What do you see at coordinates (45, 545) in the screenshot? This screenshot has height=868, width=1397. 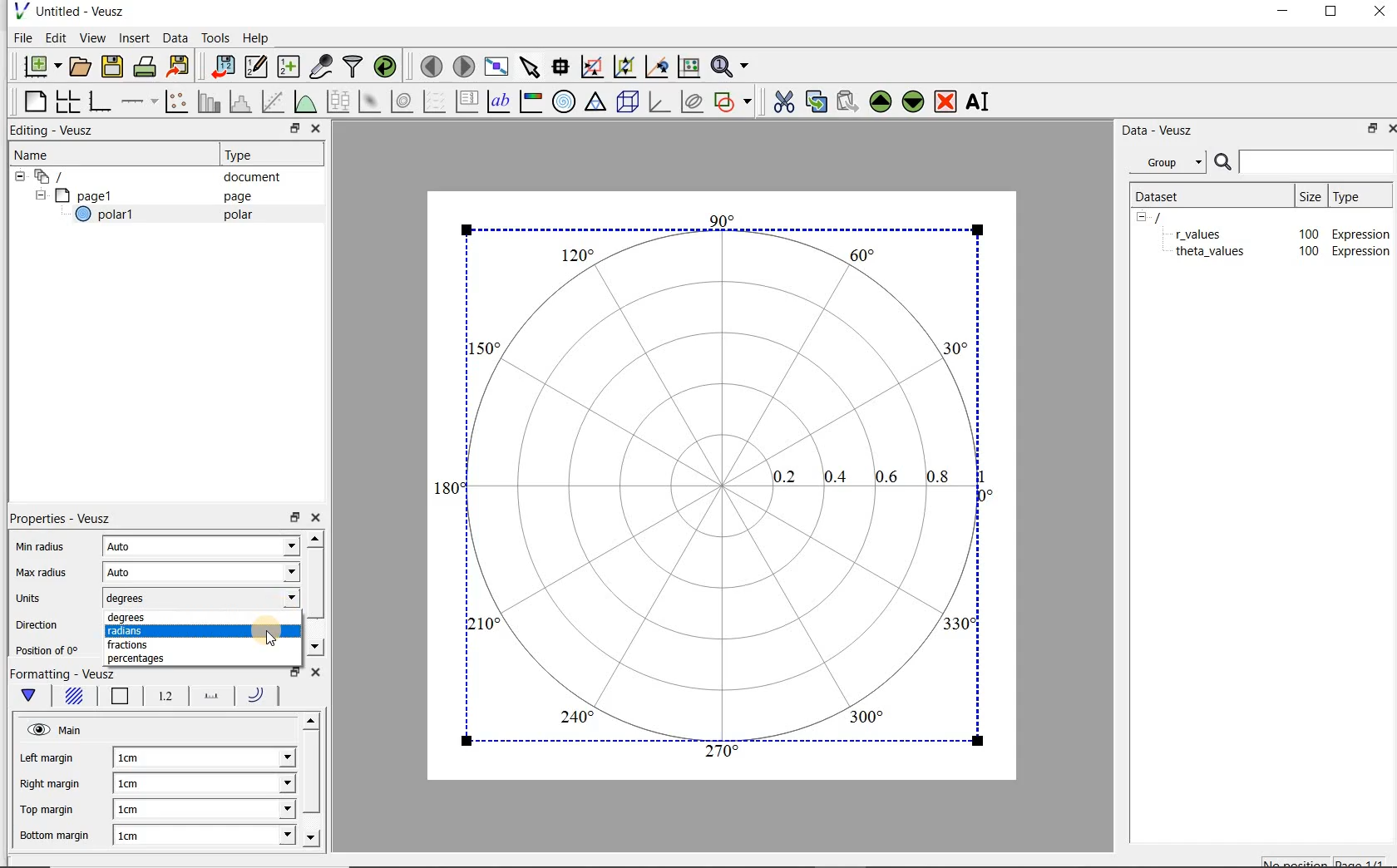 I see `Min radius` at bounding box center [45, 545].